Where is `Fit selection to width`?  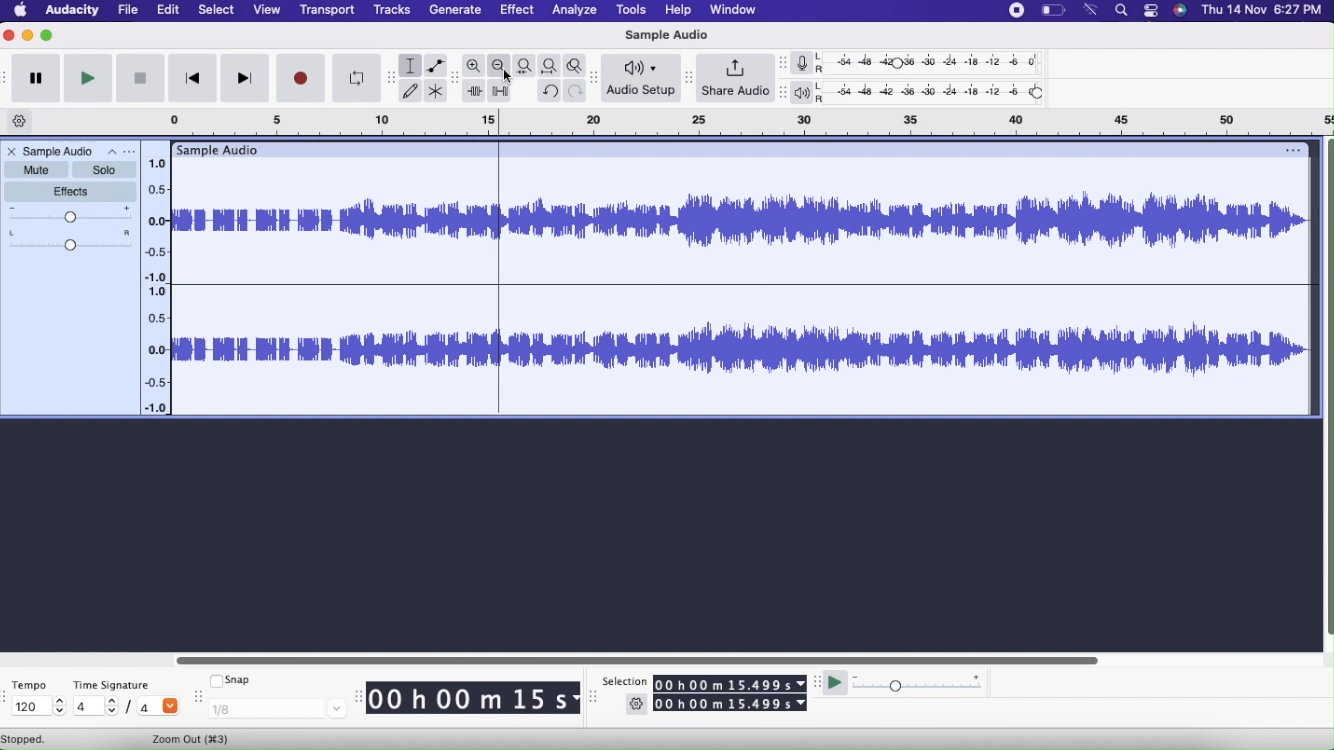
Fit selection to width is located at coordinates (526, 66).